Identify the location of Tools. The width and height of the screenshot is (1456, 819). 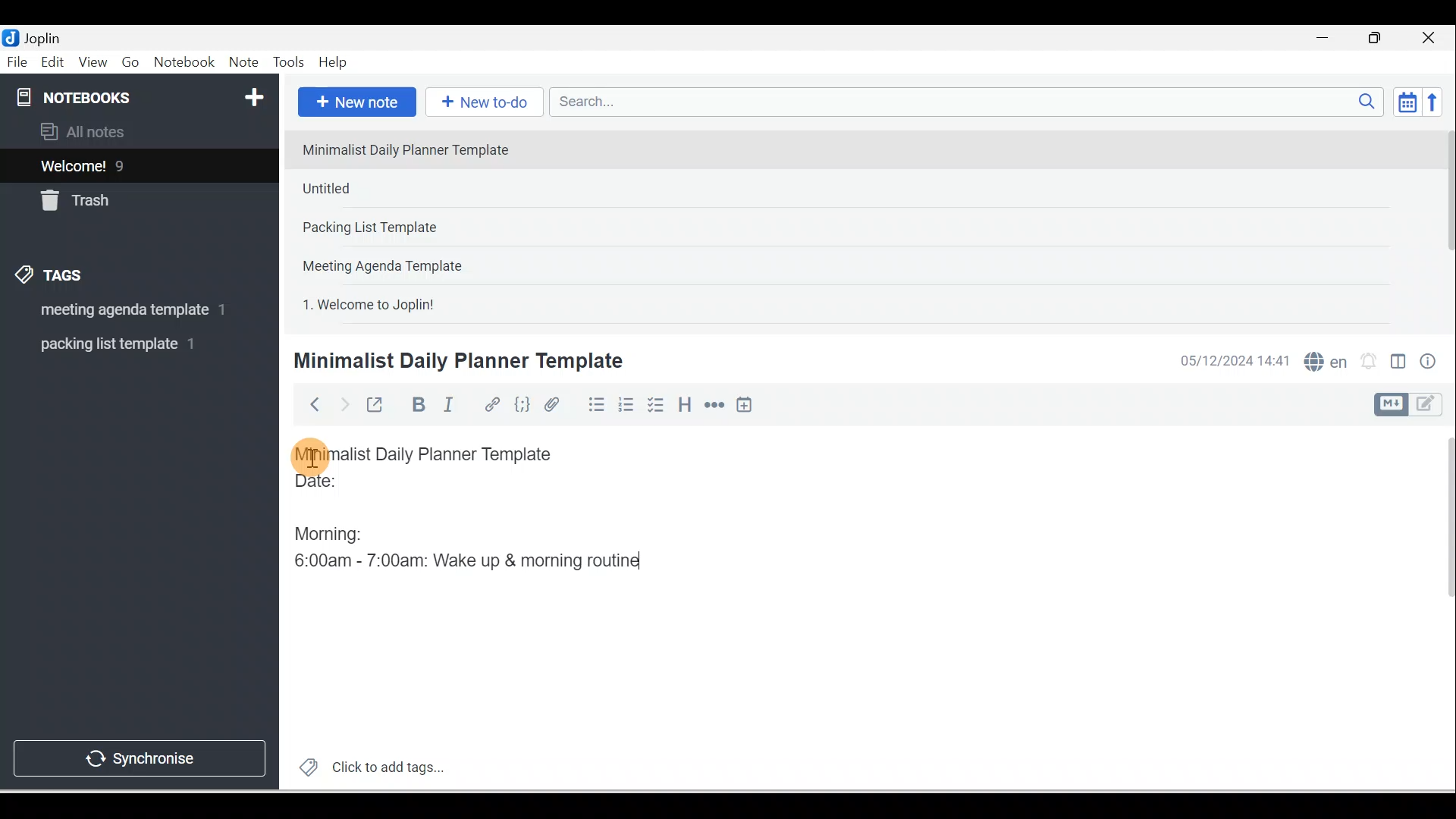
(288, 62).